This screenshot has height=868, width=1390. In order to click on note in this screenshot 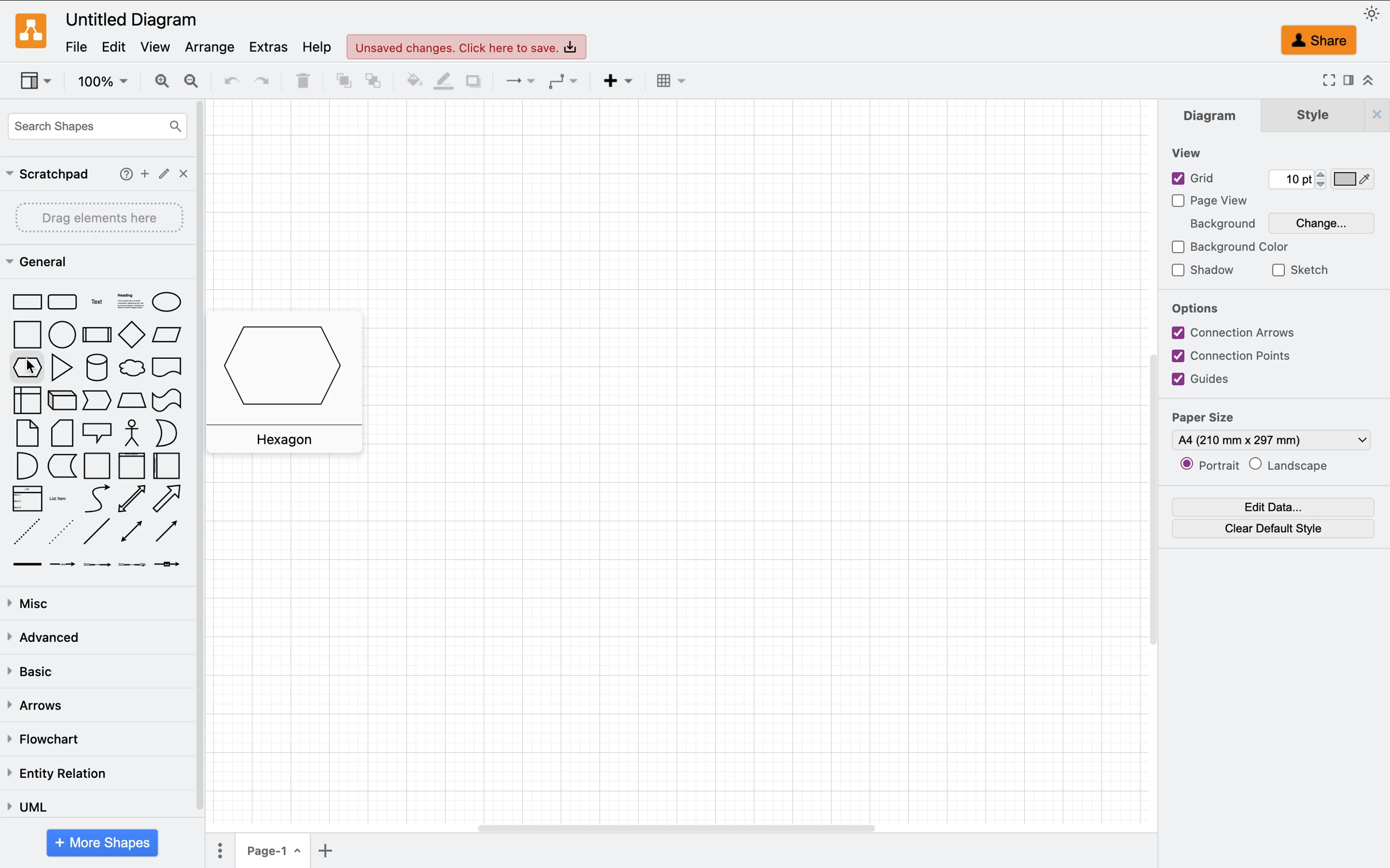, I will do `click(28, 433)`.